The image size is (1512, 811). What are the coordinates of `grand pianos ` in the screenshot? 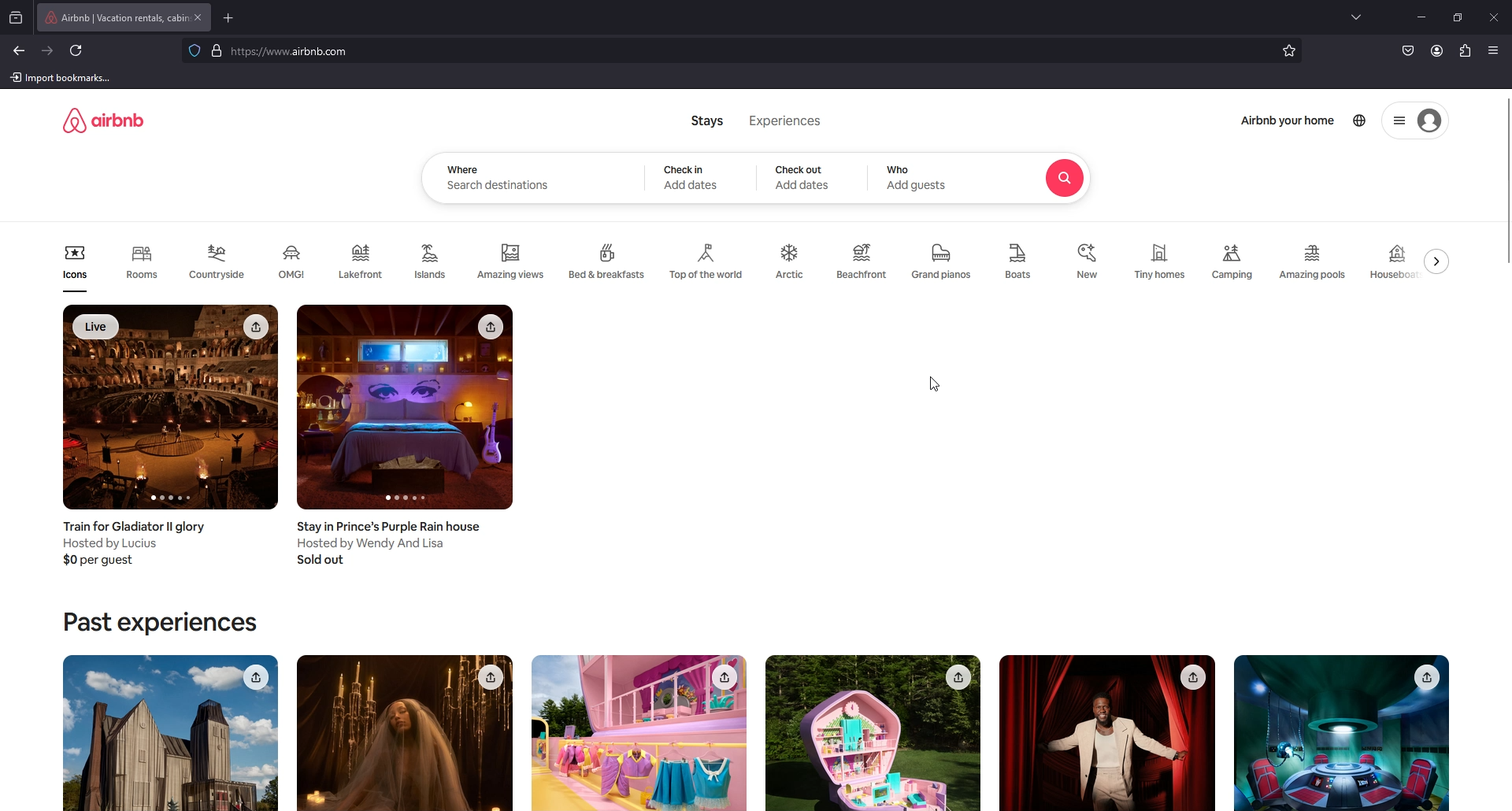 It's located at (940, 262).